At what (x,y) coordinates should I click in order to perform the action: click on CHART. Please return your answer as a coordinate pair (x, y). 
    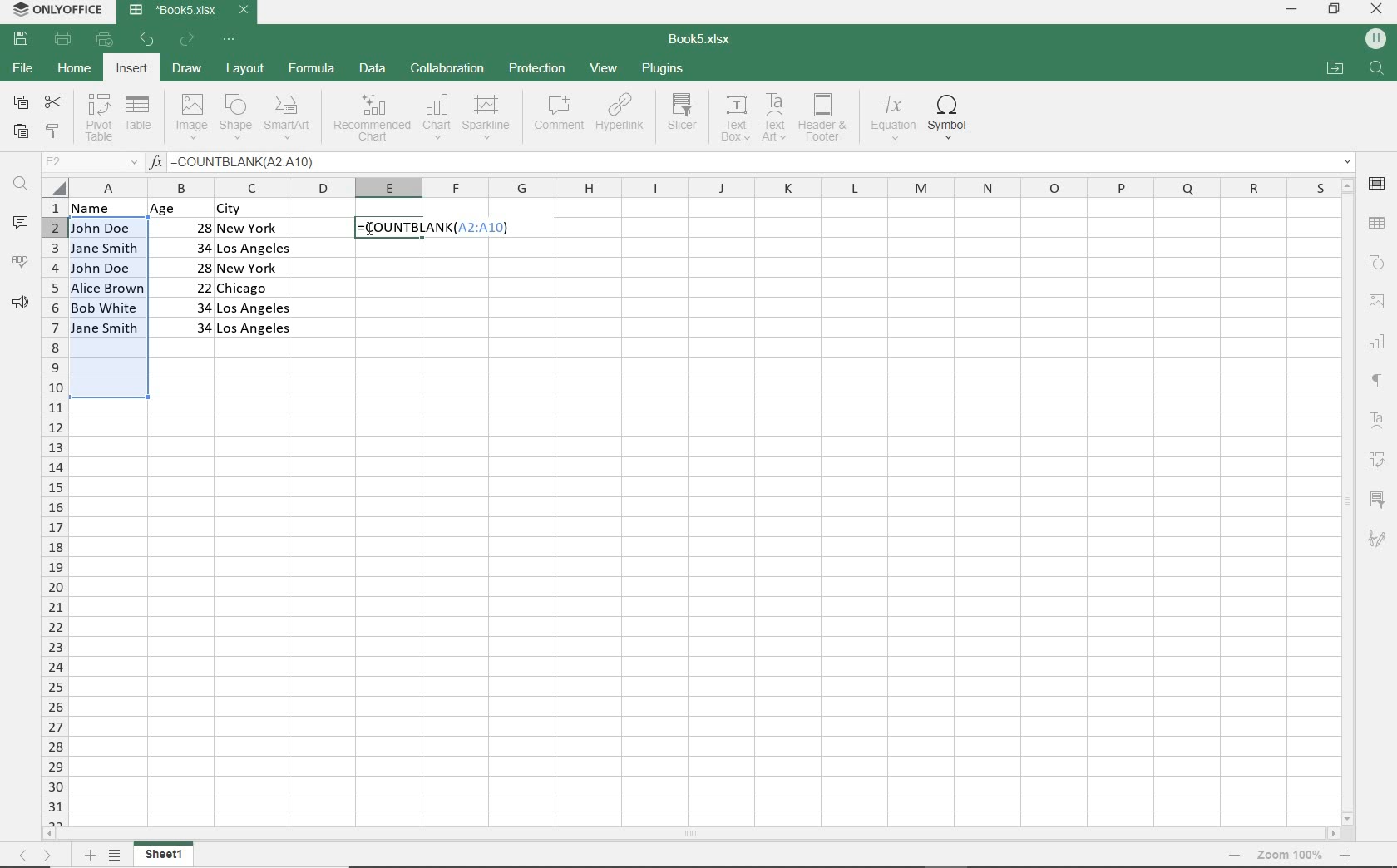
    Looking at the image, I should click on (1376, 341).